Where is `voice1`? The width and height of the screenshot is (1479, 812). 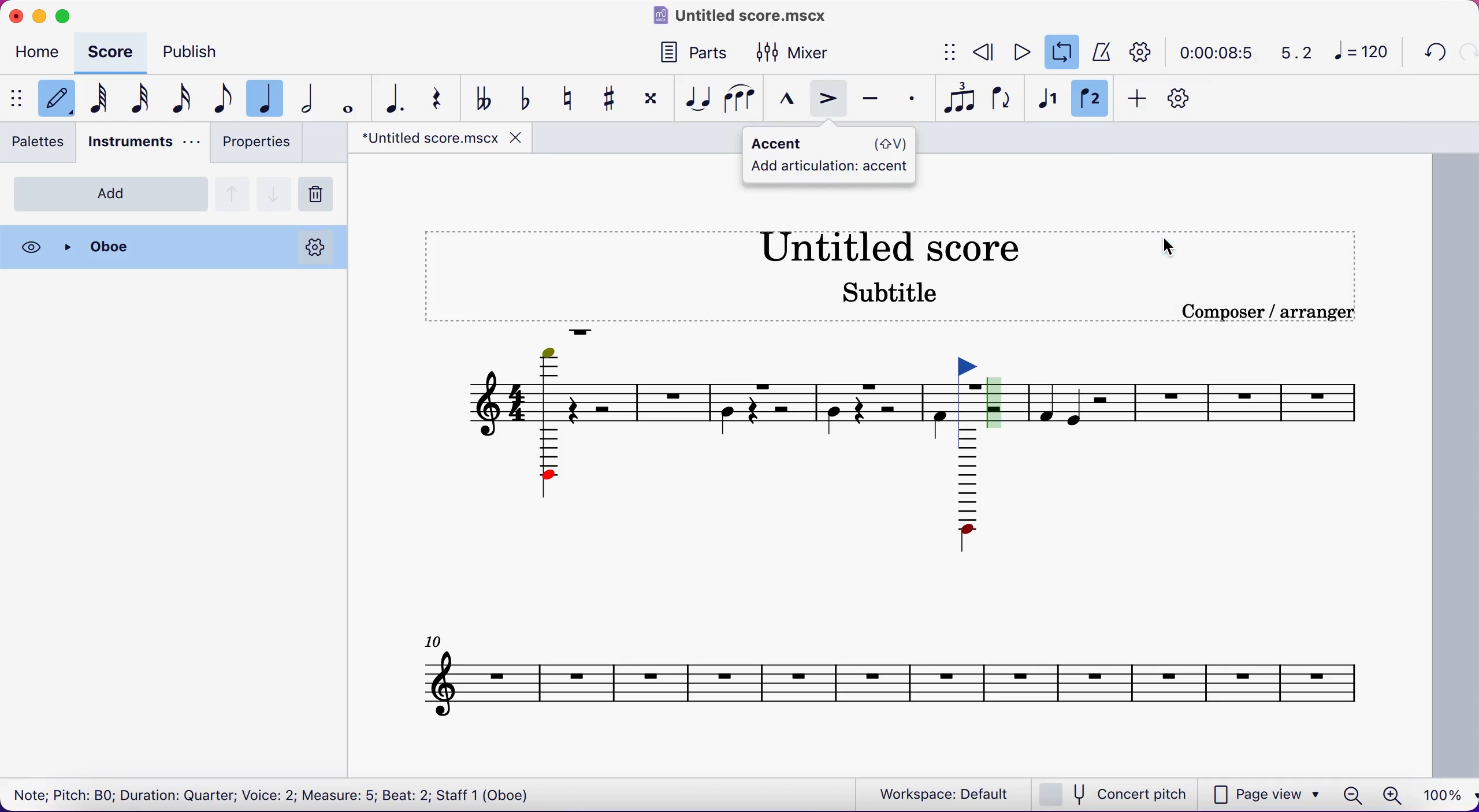 voice1 is located at coordinates (1046, 100).